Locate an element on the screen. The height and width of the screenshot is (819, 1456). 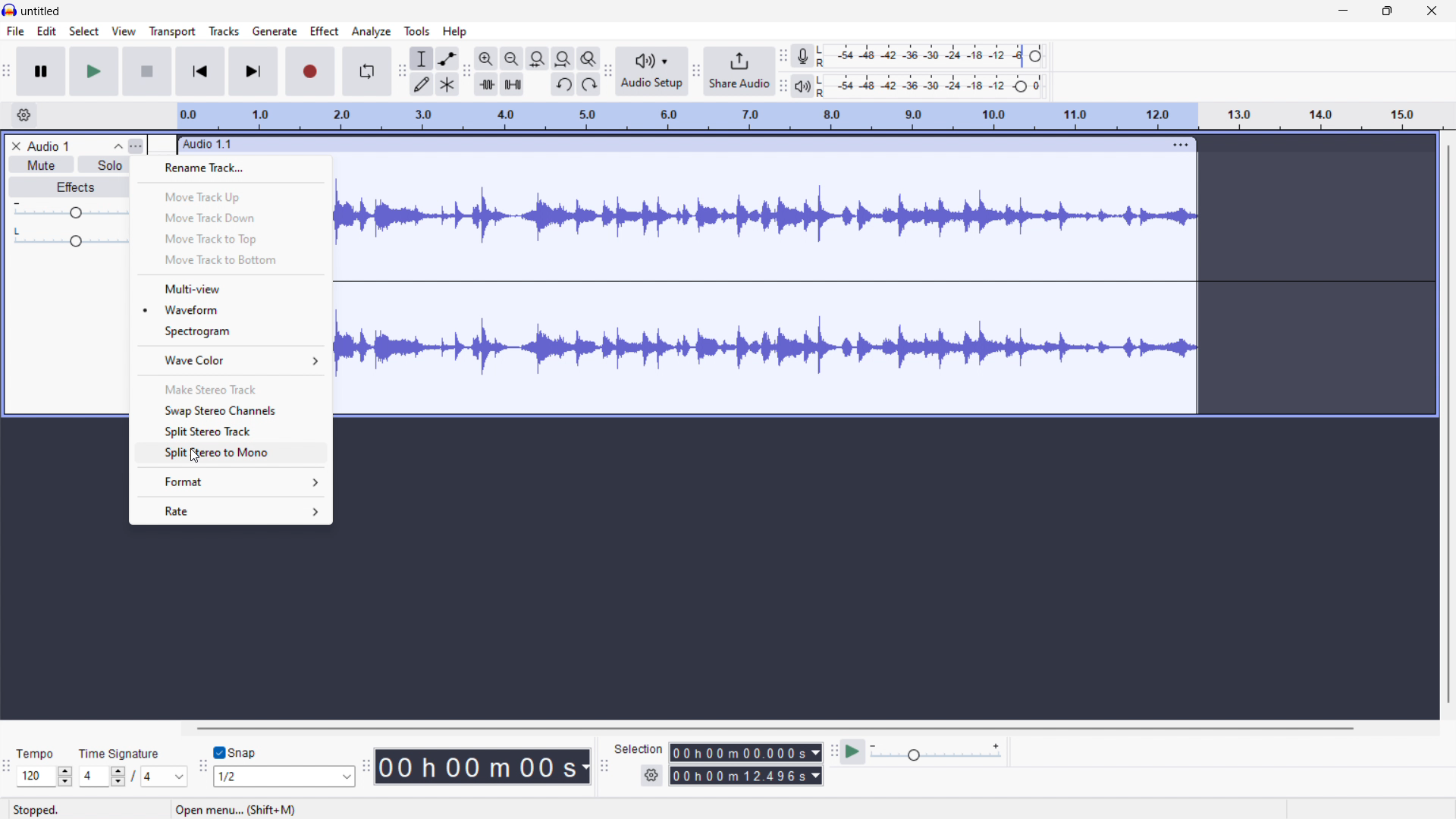
toggle zoom is located at coordinates (589, 58).